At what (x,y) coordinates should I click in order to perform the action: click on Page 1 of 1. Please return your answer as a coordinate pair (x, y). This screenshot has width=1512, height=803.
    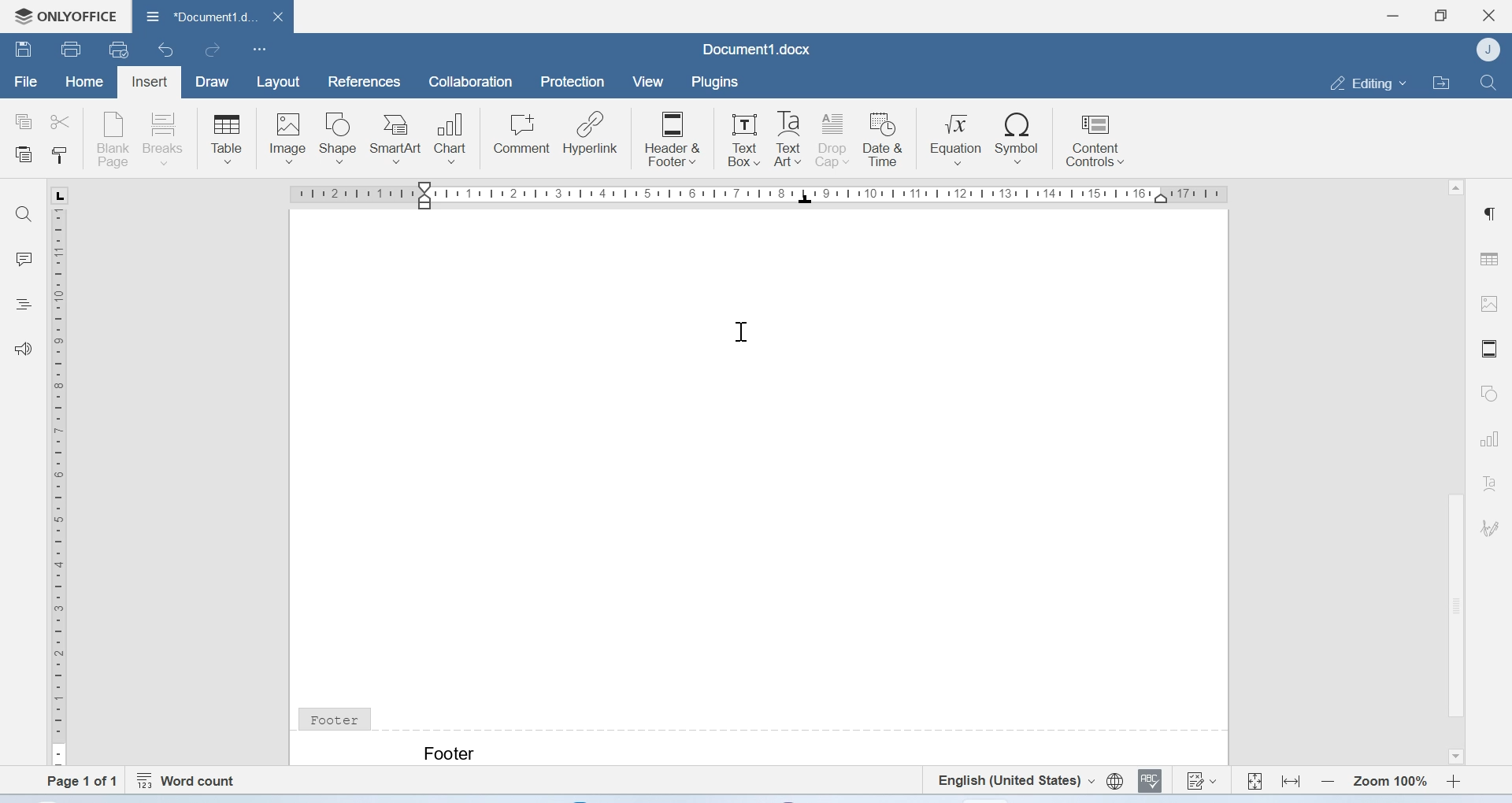
    Looking at the image, I should click on (74, 781).